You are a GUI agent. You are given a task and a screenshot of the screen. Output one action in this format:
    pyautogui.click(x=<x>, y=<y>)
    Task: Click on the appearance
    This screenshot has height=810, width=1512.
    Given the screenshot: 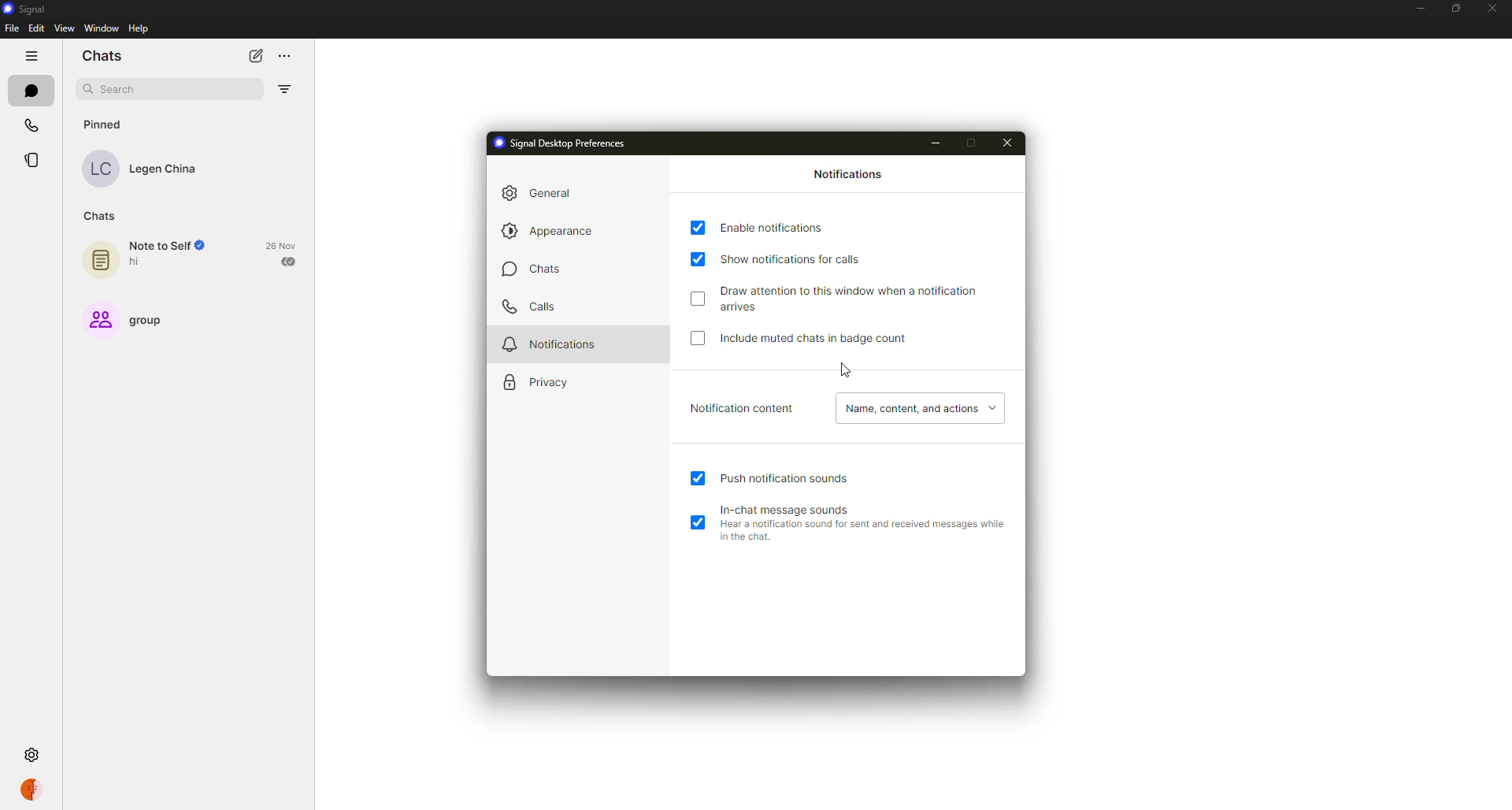 What is the action you would take?
    pyautogui.click(x=553, y=232)
    